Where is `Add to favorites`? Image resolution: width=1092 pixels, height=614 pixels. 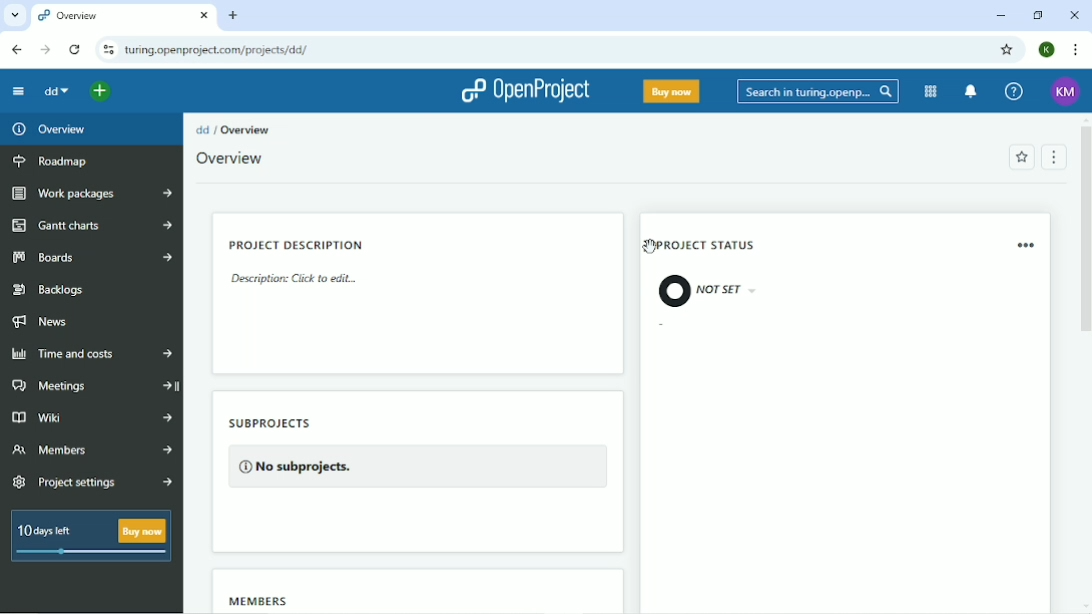 Add to favorites is located at coordinates (1022, 158).